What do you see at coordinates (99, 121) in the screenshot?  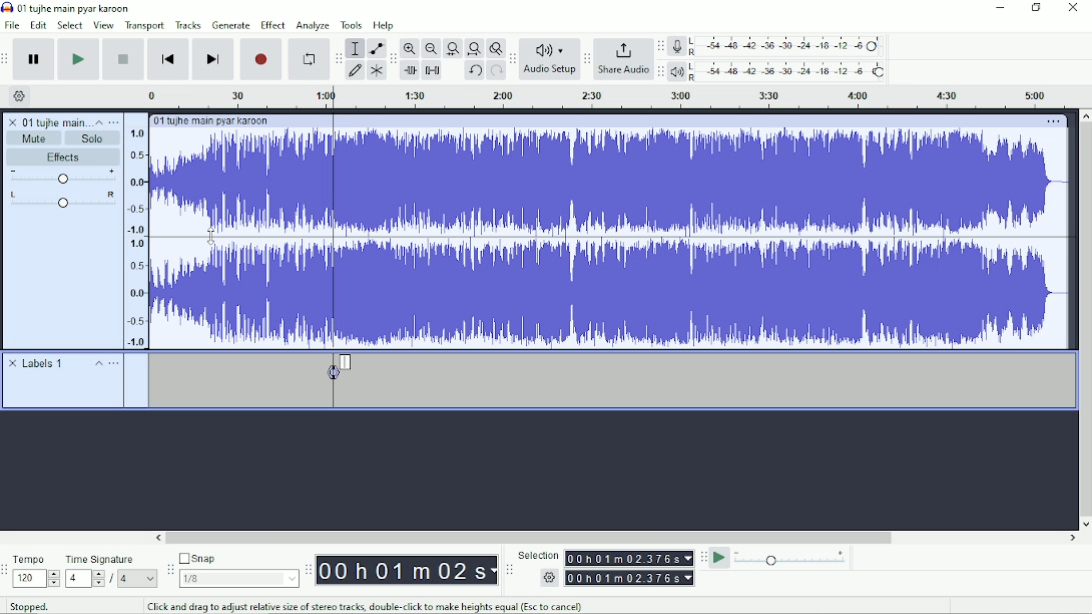 I see `Collpase` at bounding box center [99, 121].